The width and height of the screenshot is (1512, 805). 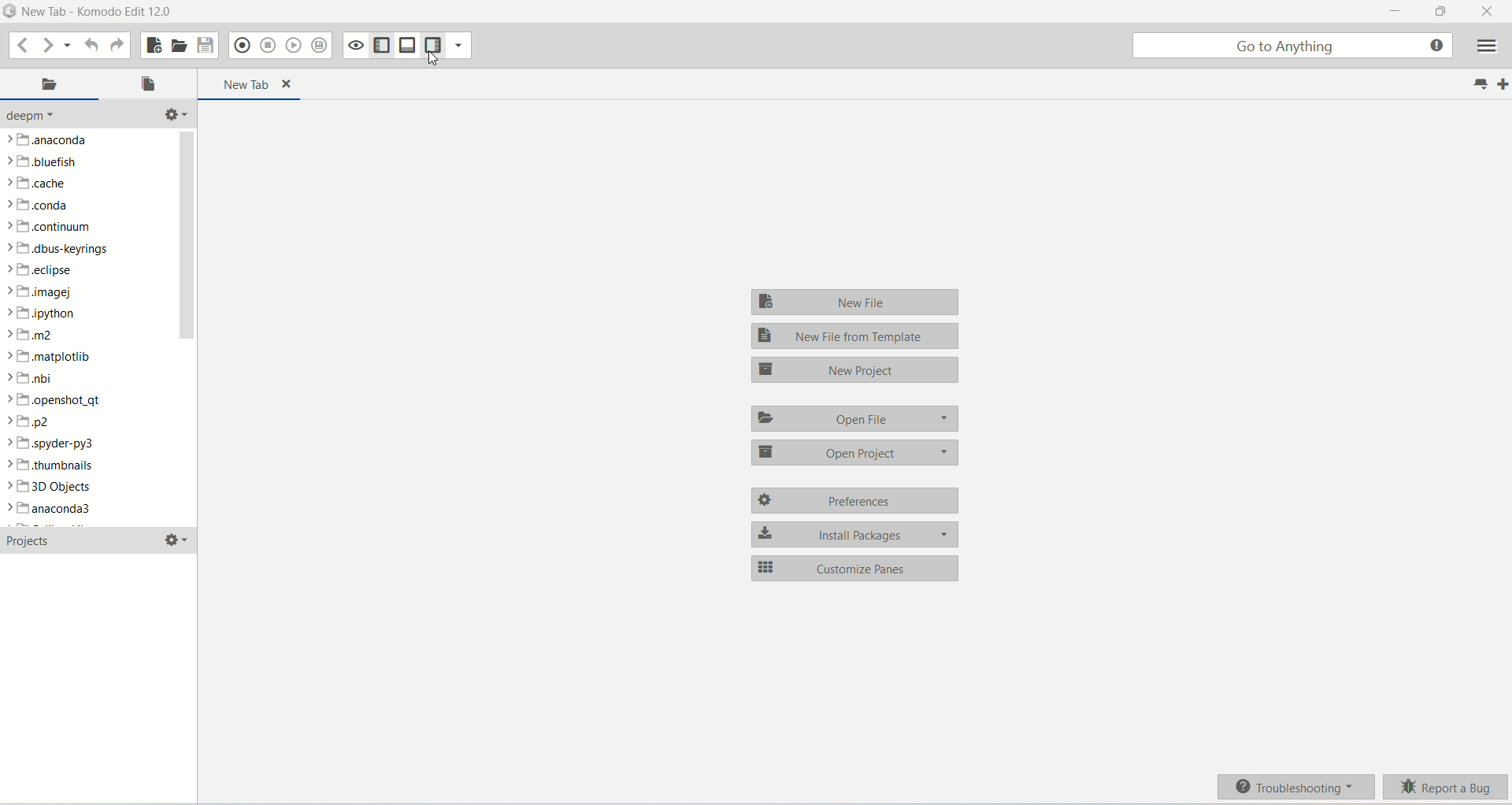 I want to click on logo, so click(x=9, y=12).